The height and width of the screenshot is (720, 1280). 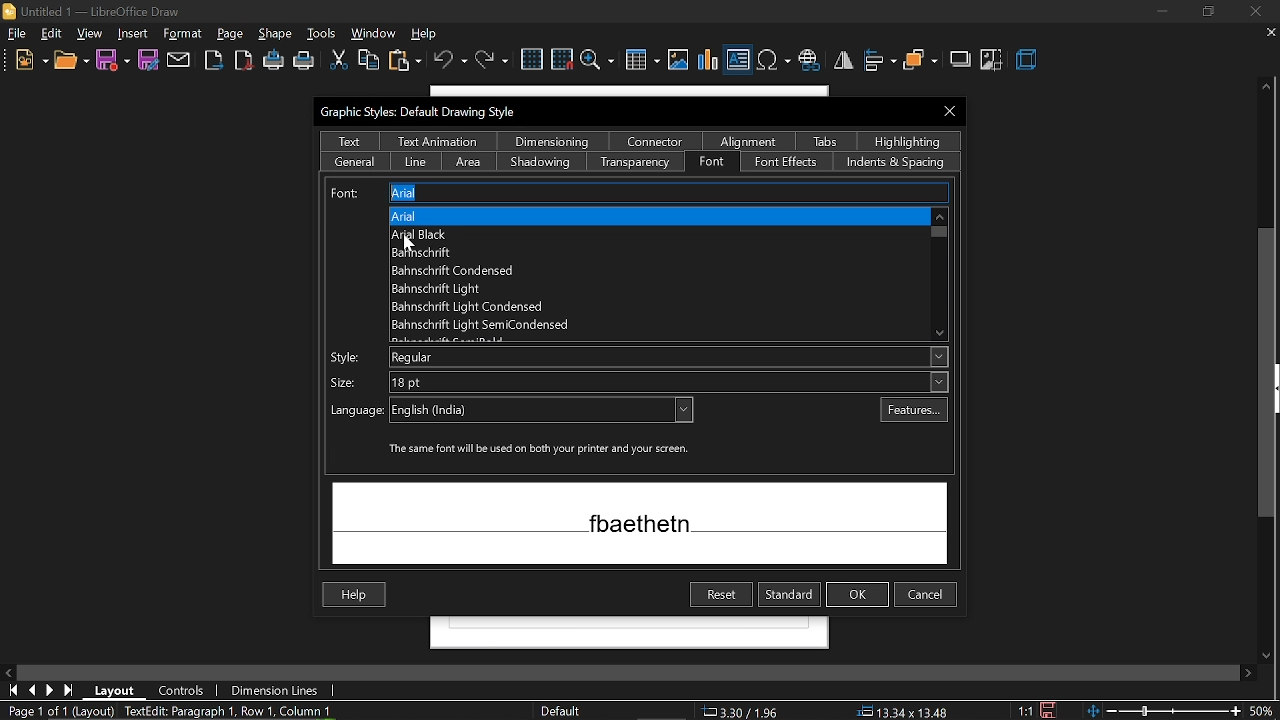 I want to click on Bahnscfrift Light SemiCondensed, so click(x=511, y=325).